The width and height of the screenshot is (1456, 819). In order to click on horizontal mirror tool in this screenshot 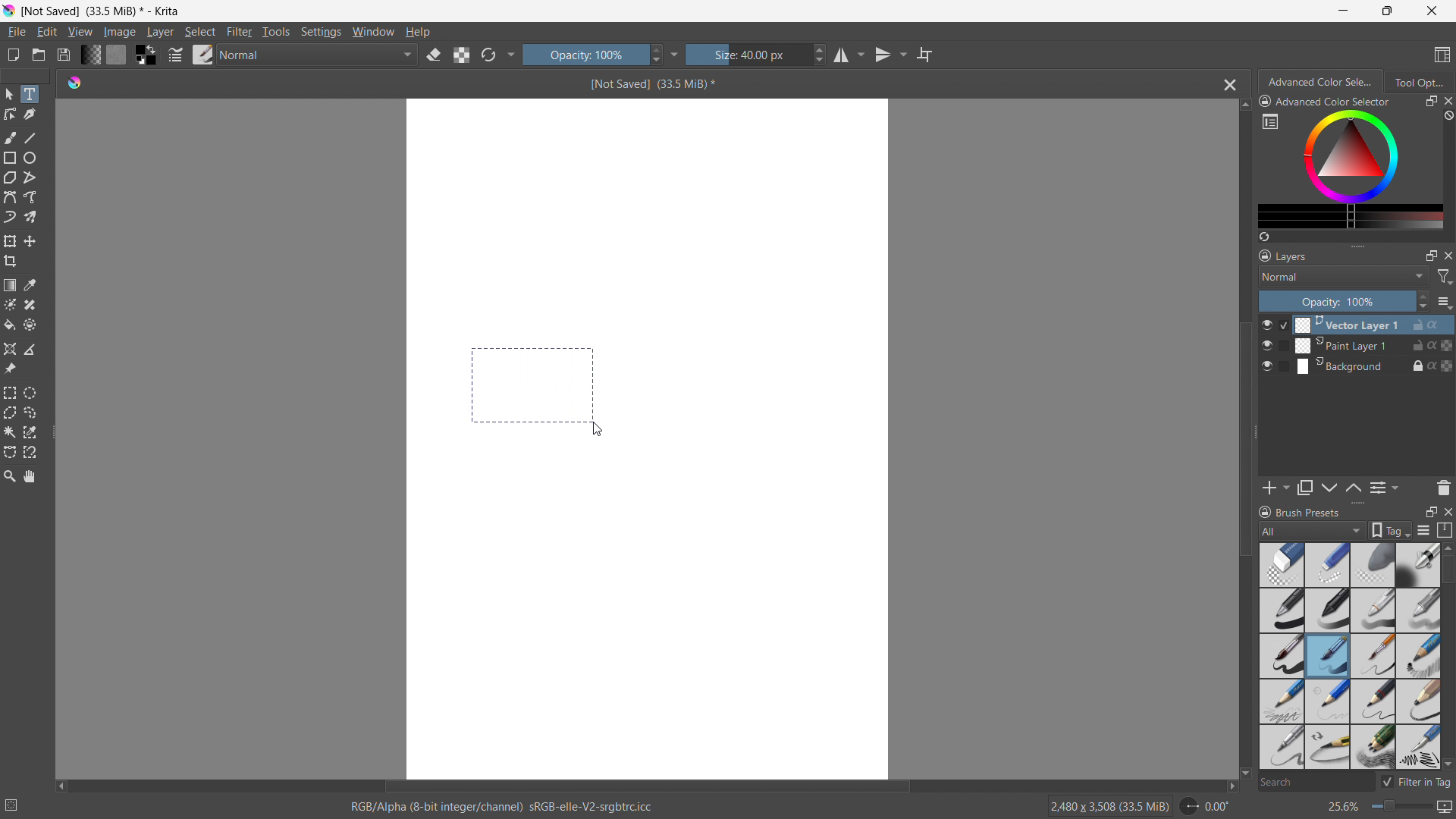, I will do `click(848, 55)`.